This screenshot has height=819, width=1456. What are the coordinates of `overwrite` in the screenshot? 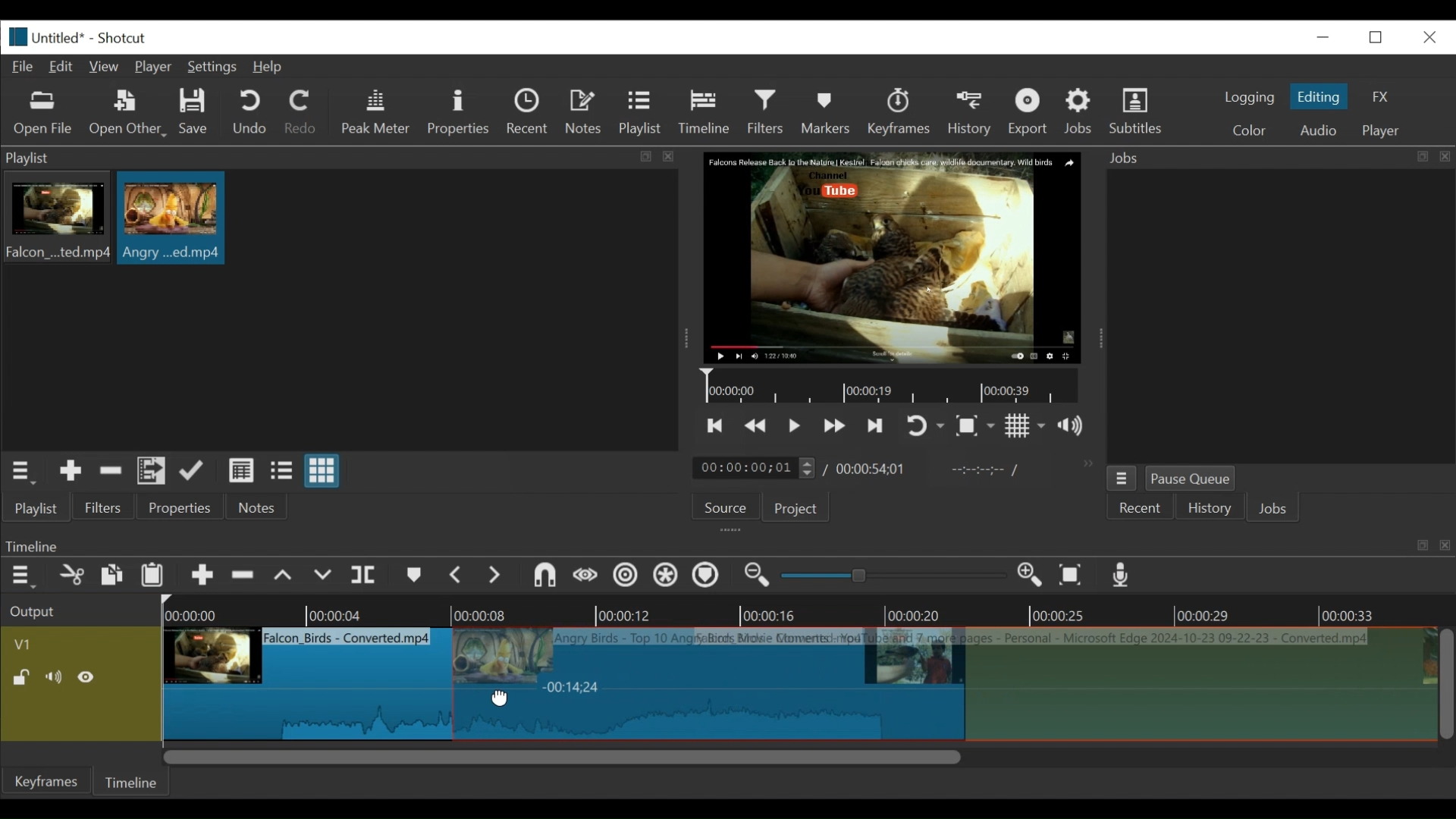 It's located at (325, 576).